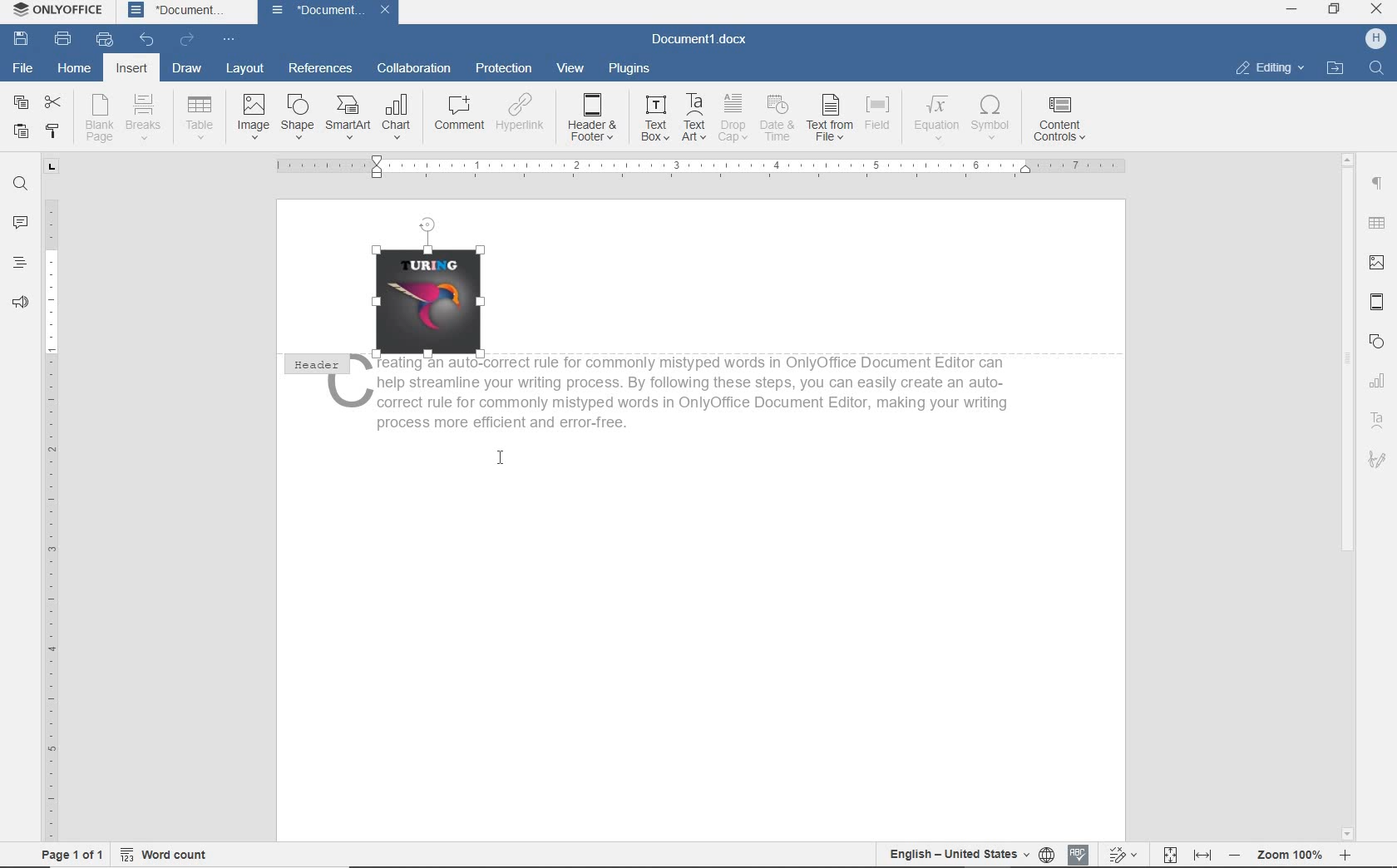 The image size is (1397, 868). Describe the element at coordinates (19, 184) in the screenshot. I see `FIND` at that location.